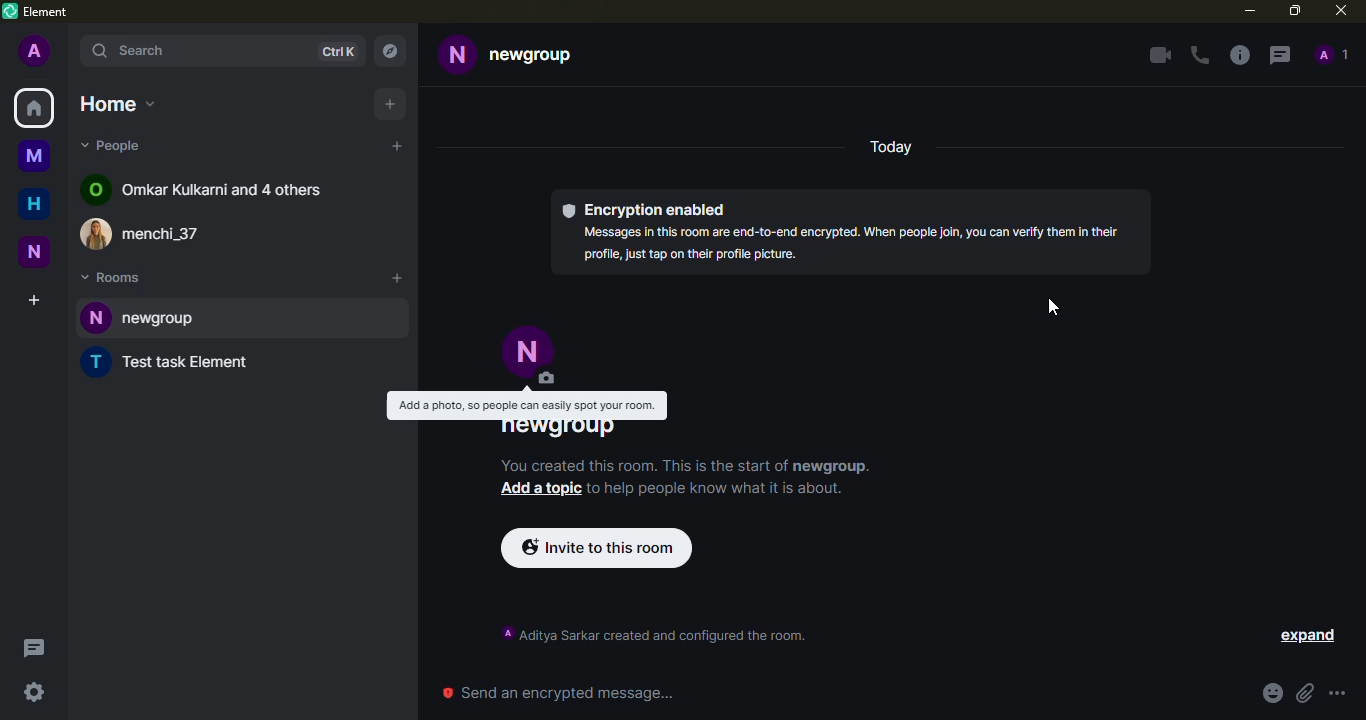 The width and height of the screenshot is (1366, 720). What do you see at coordinates (1250, 10) in the screenshot?
I see `minimize` at bounding box center [1250, 10].